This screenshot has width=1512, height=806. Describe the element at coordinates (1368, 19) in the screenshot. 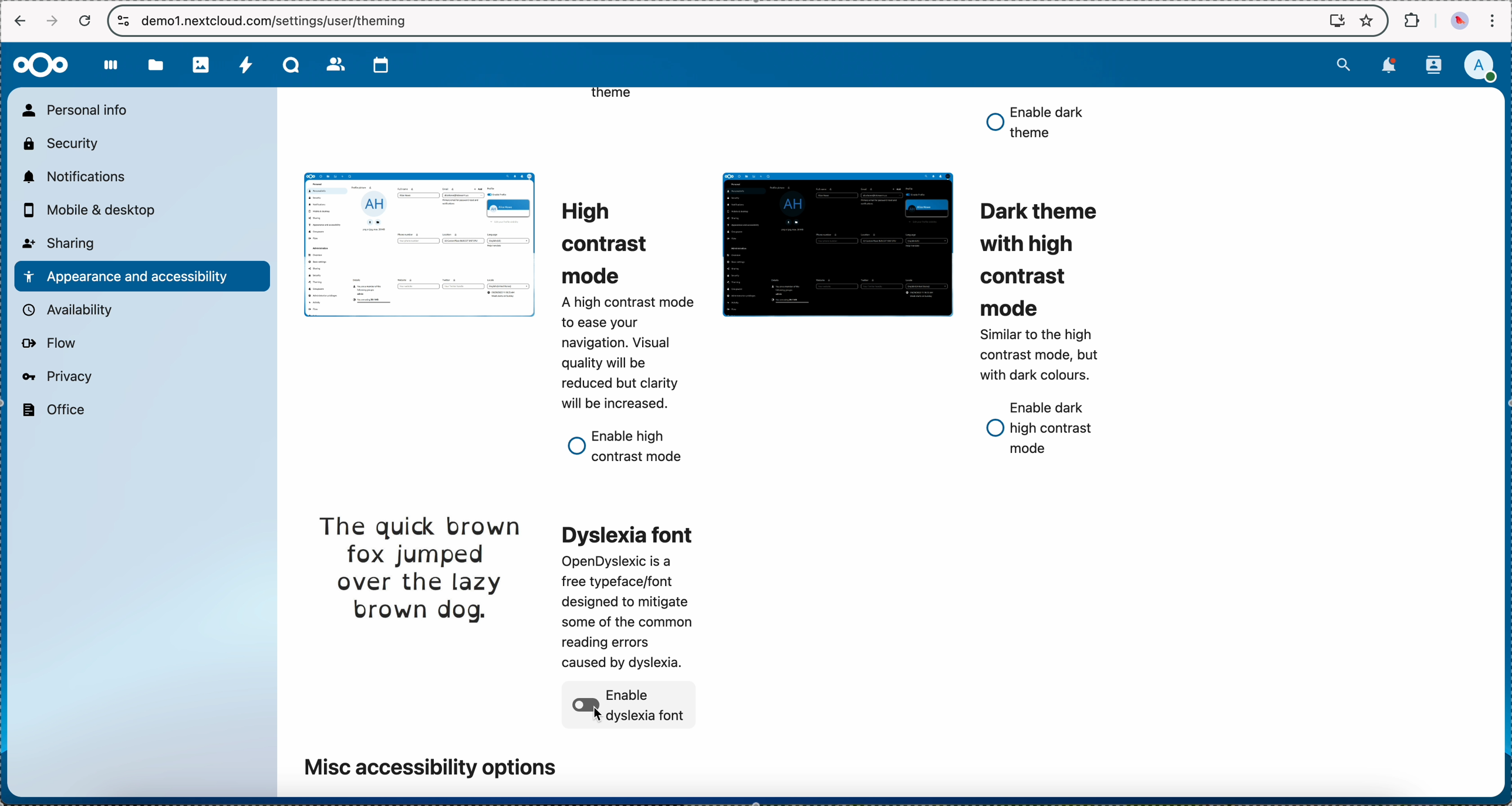

I see `favorites` at that location.